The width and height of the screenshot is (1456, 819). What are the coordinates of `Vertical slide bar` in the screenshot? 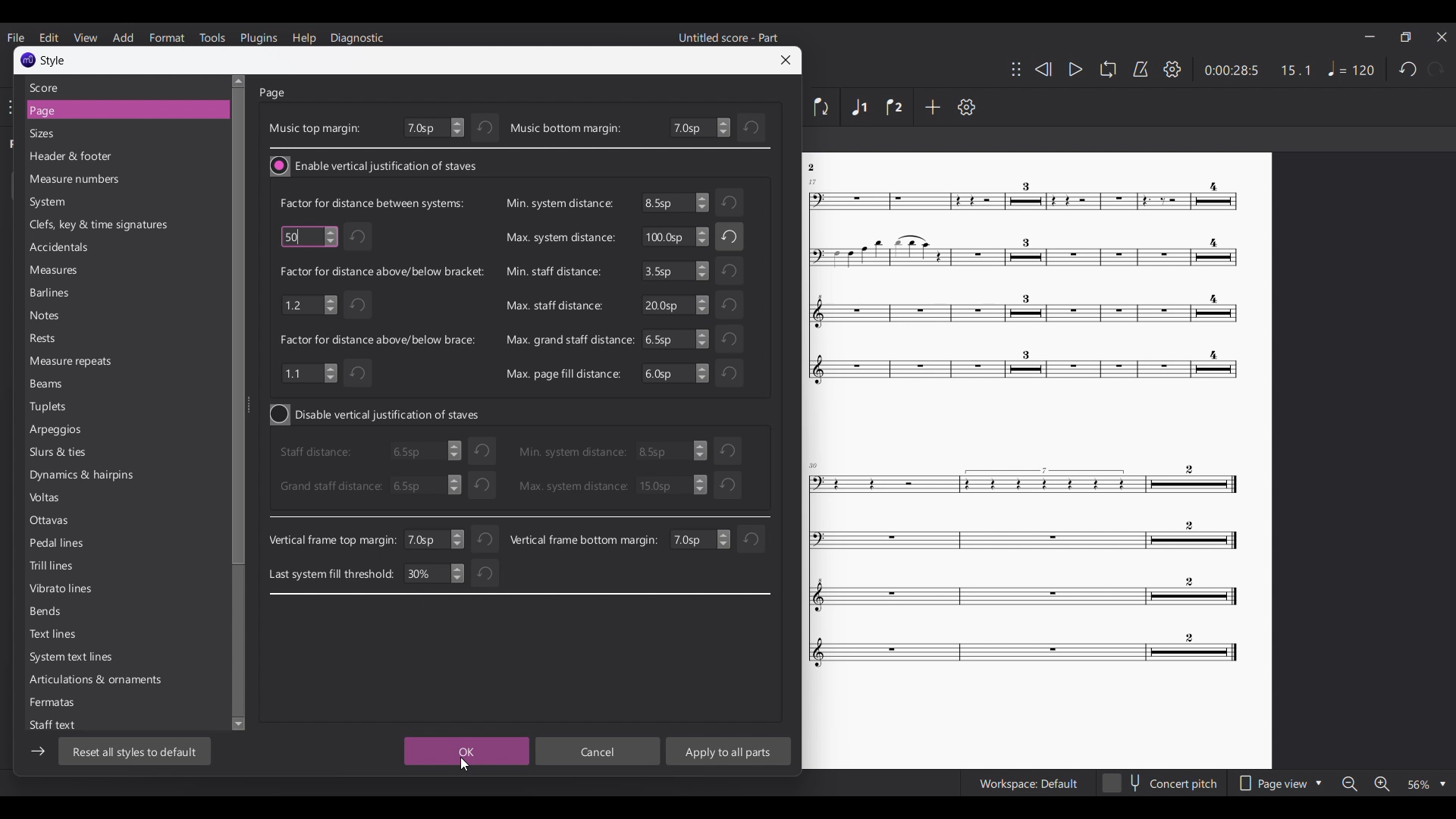 It's located at (238, 403).